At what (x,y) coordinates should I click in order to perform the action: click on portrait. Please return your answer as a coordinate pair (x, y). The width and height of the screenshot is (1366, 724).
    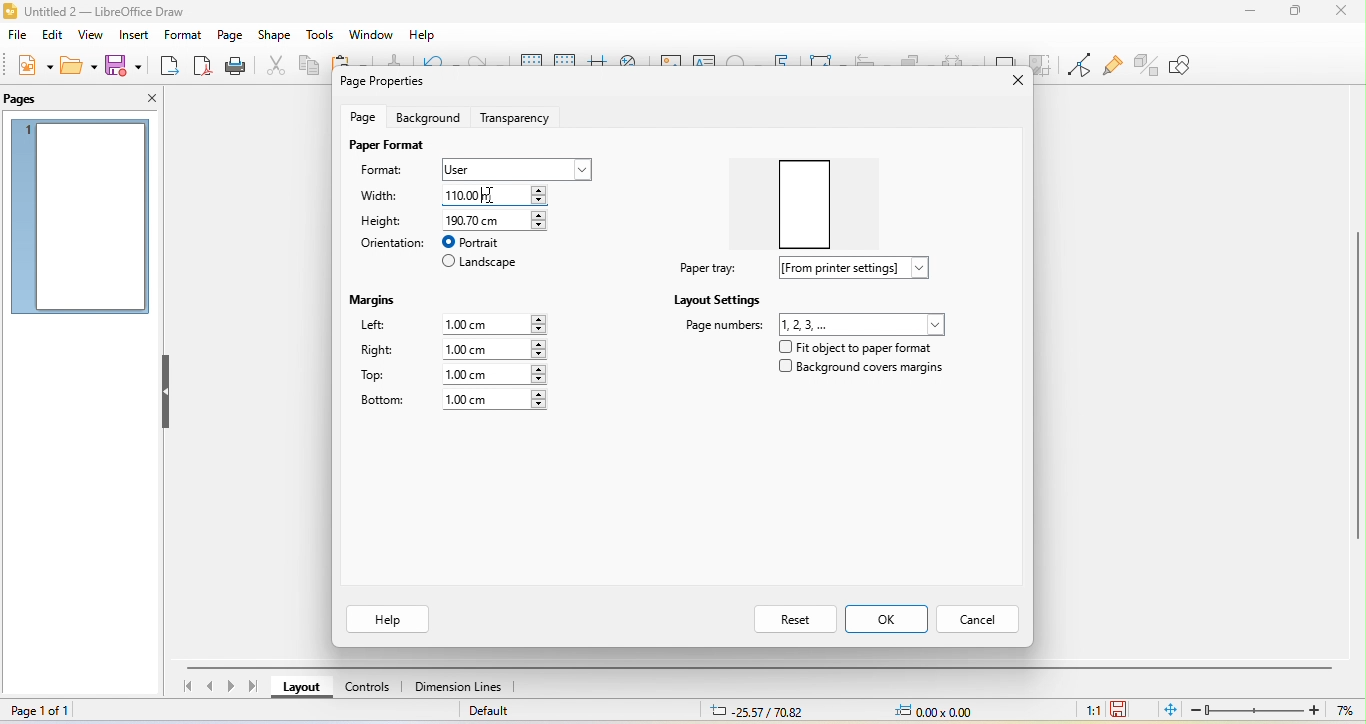
    Looking at the image, I should click on (483, 242).